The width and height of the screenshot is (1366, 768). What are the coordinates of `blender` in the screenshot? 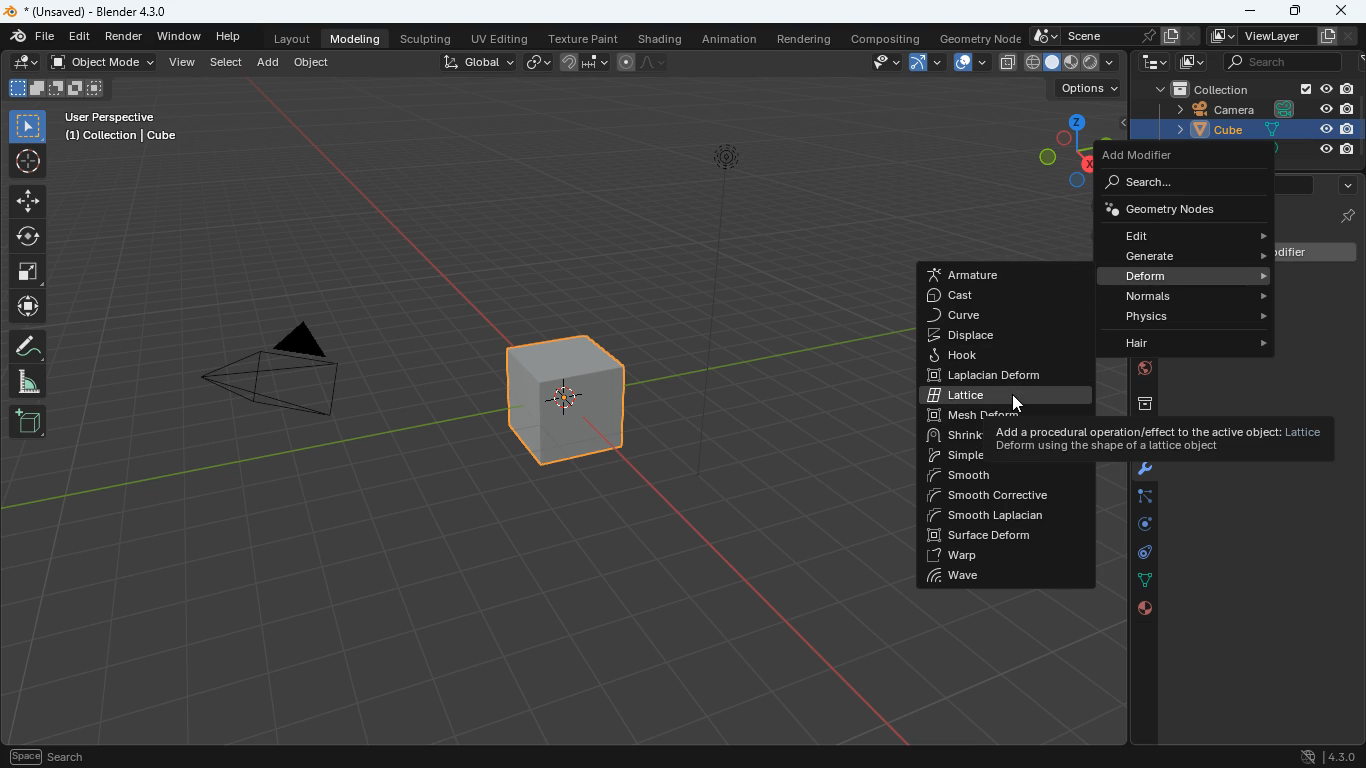 It's located at (96, 10).